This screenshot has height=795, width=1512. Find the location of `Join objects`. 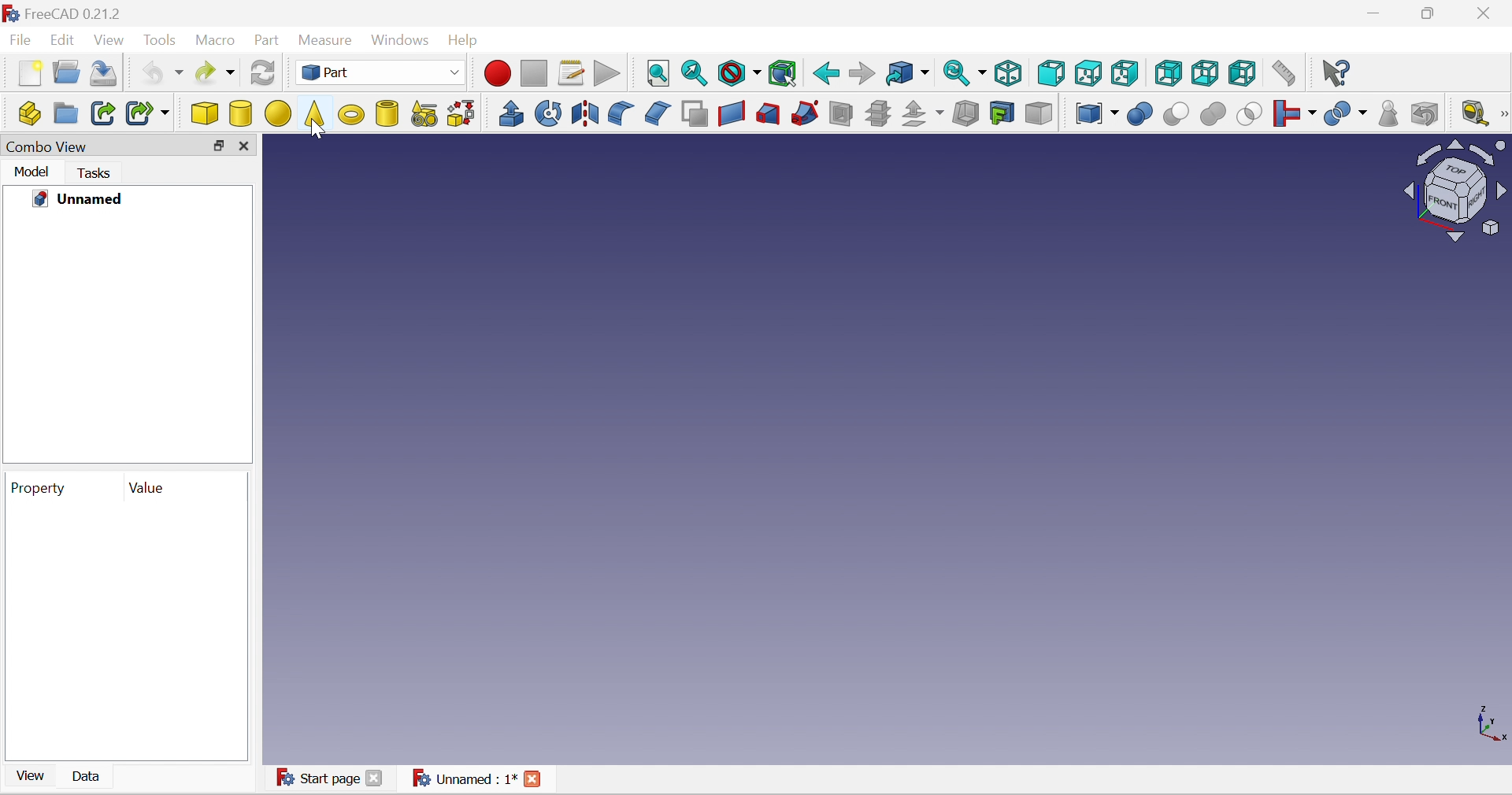

Join objects is located at coordinates (1294, 114).